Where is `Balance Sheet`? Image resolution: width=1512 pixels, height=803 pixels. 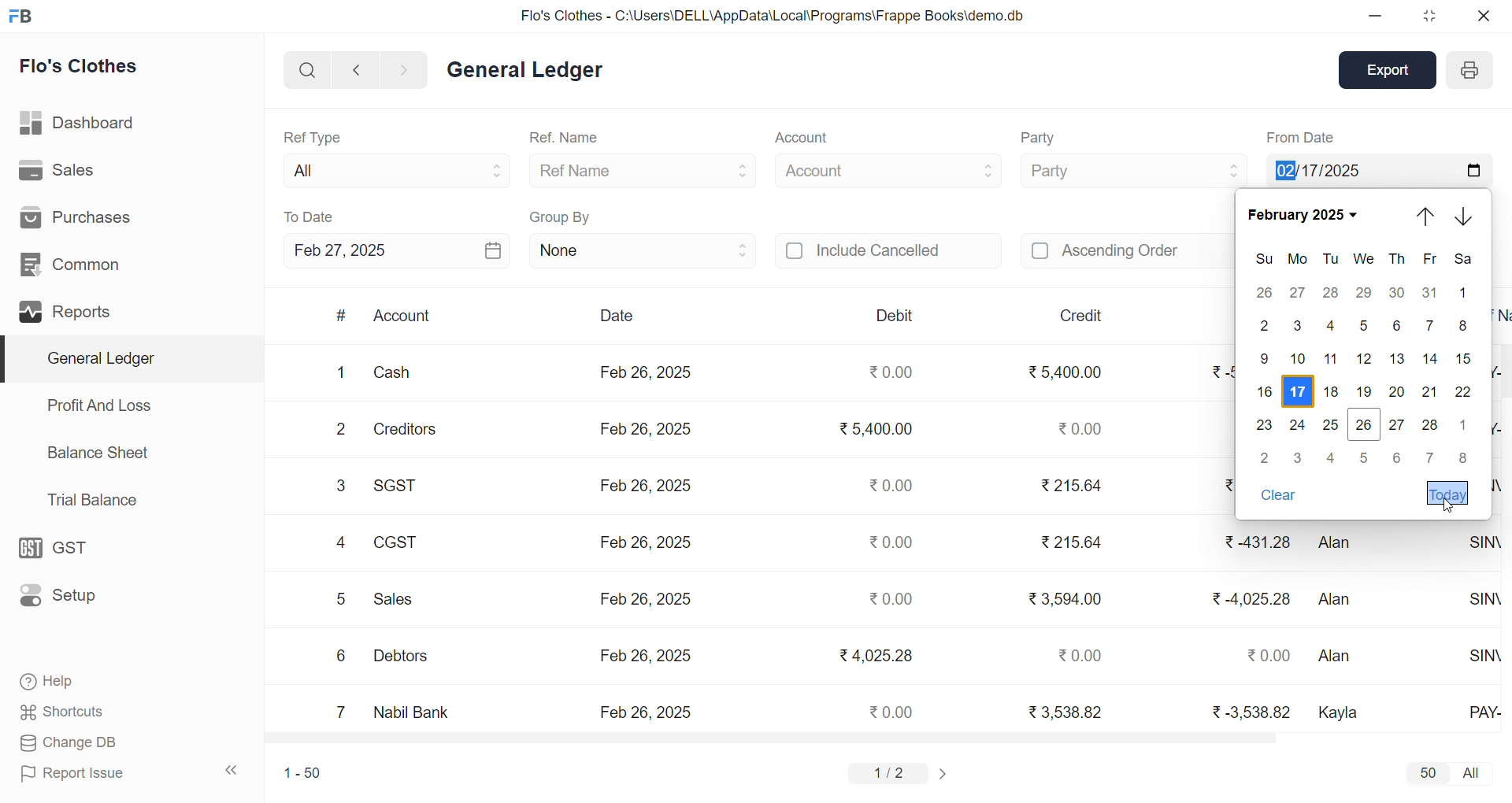 Balance Sheet is located at coordinates (99, 452).